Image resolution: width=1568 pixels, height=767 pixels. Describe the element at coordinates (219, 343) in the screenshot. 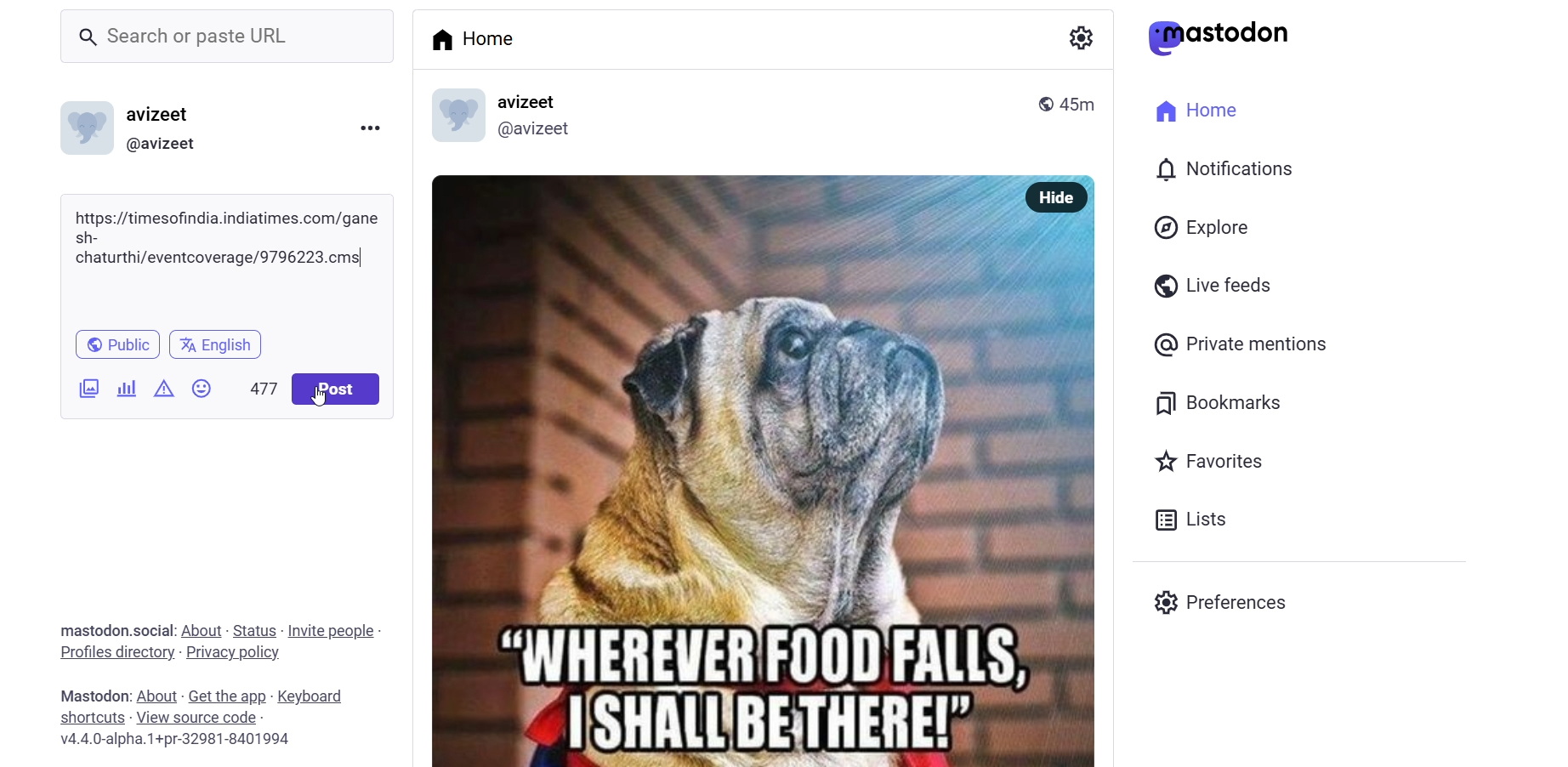

I see ` English` at that location.